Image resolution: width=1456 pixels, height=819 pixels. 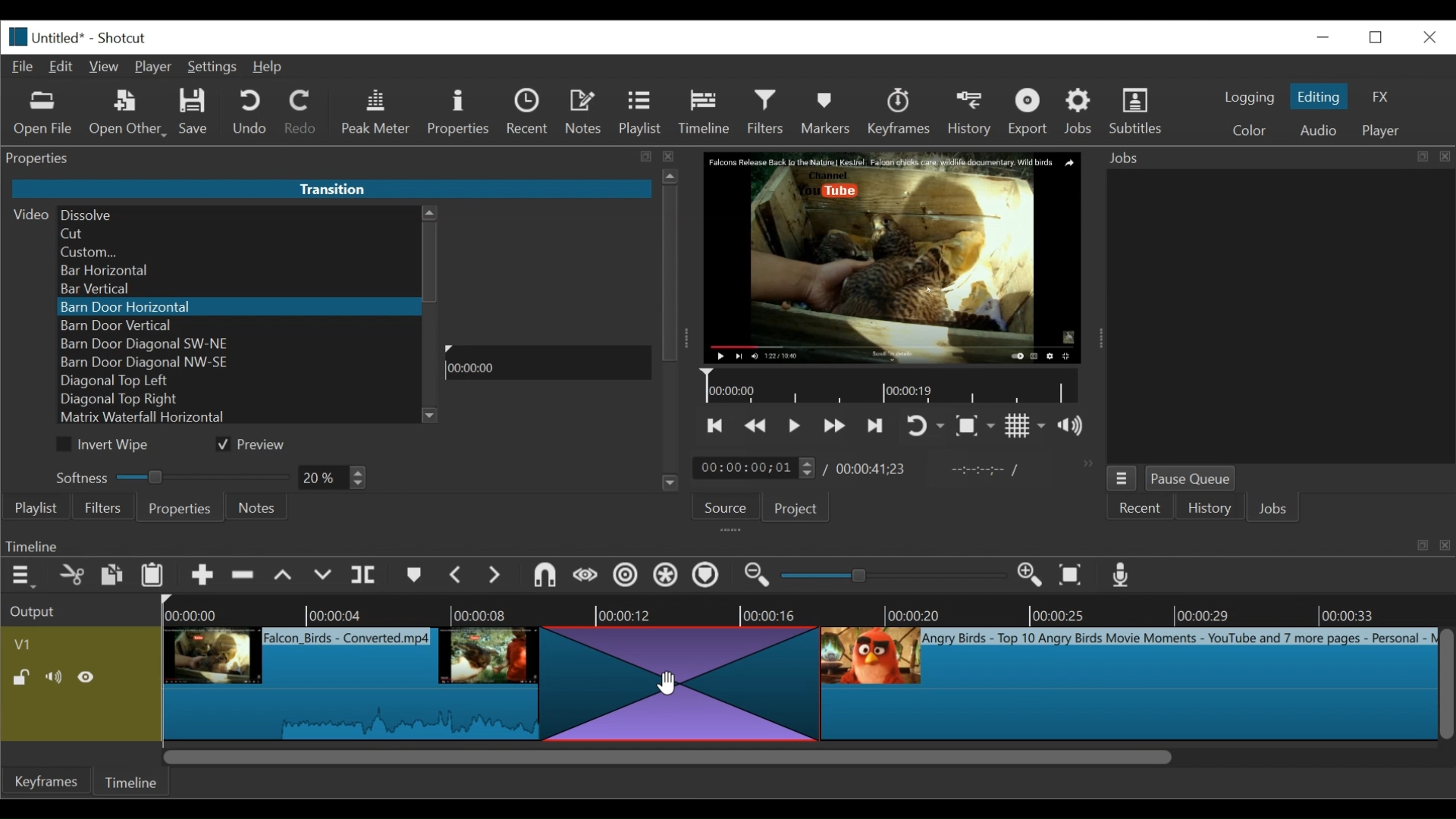 I want to click on Media Viewer, so click(x=891, y=257).